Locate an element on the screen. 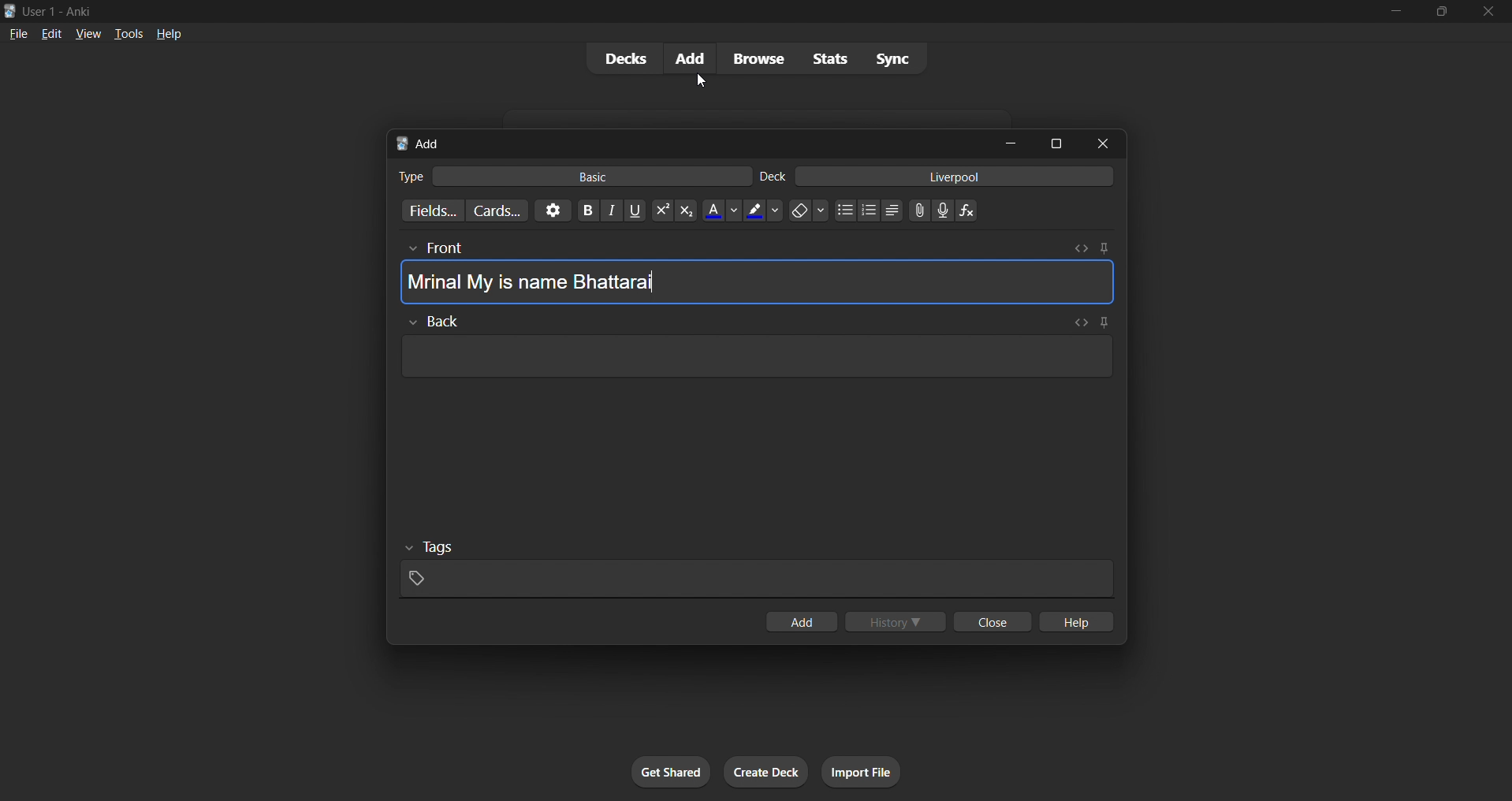  text color is located at coordinates (720, 212).